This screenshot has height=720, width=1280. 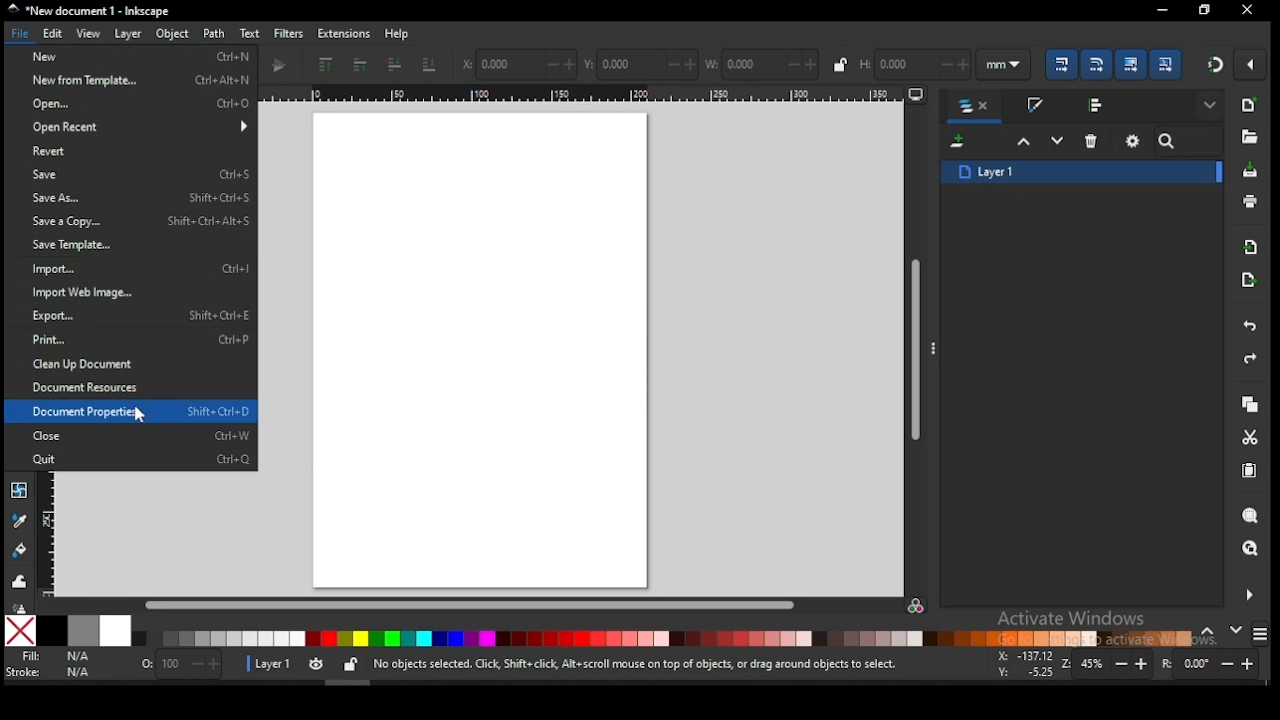 I want to click on open, so click(x=1248, y=137).